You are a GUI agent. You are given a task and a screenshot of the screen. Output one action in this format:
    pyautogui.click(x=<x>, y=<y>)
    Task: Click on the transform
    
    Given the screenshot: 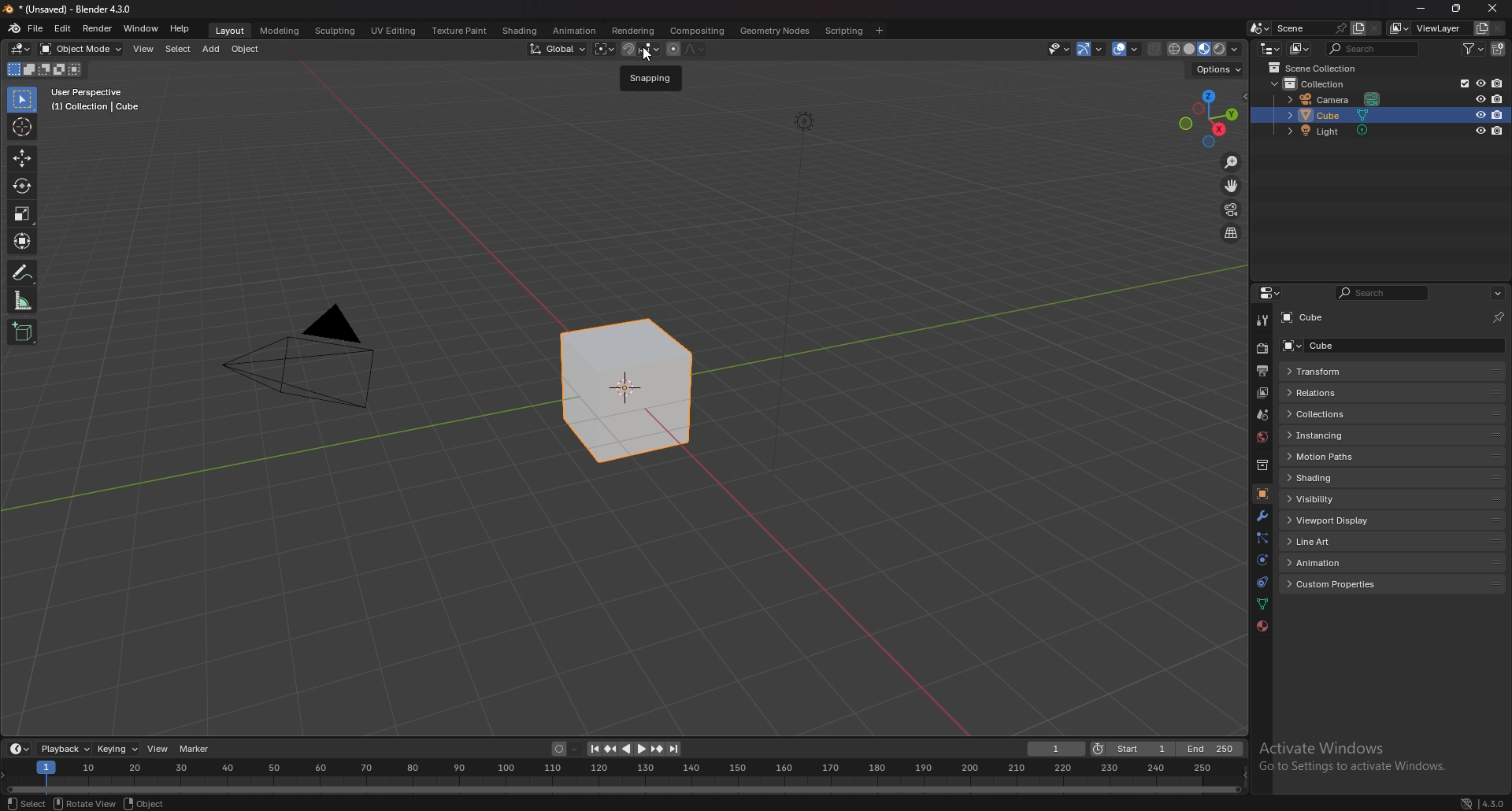 What is the action you would take?
    pyautogui.click(x=1334, y=372)
    